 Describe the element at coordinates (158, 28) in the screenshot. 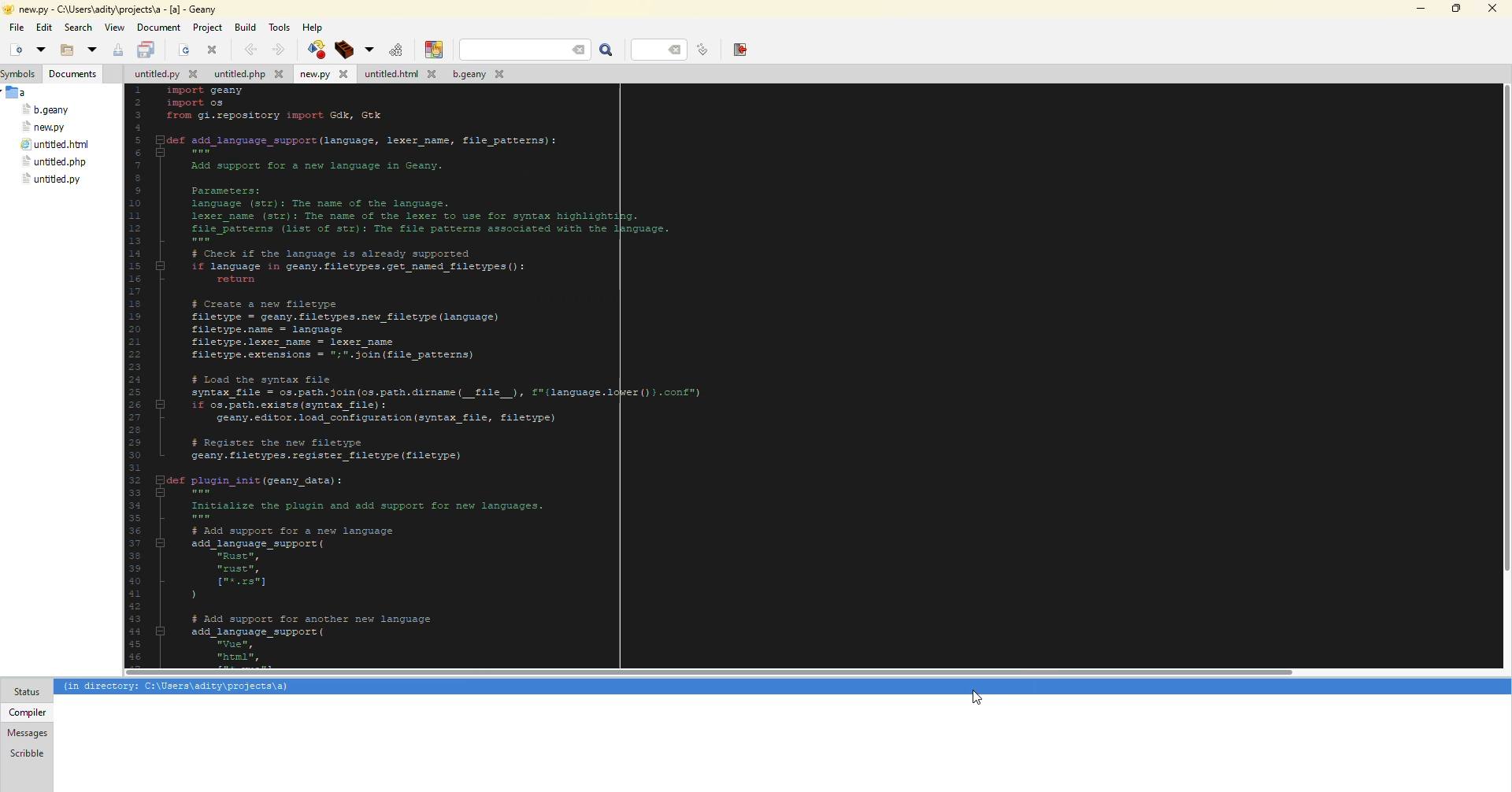

I see `document` at that location.